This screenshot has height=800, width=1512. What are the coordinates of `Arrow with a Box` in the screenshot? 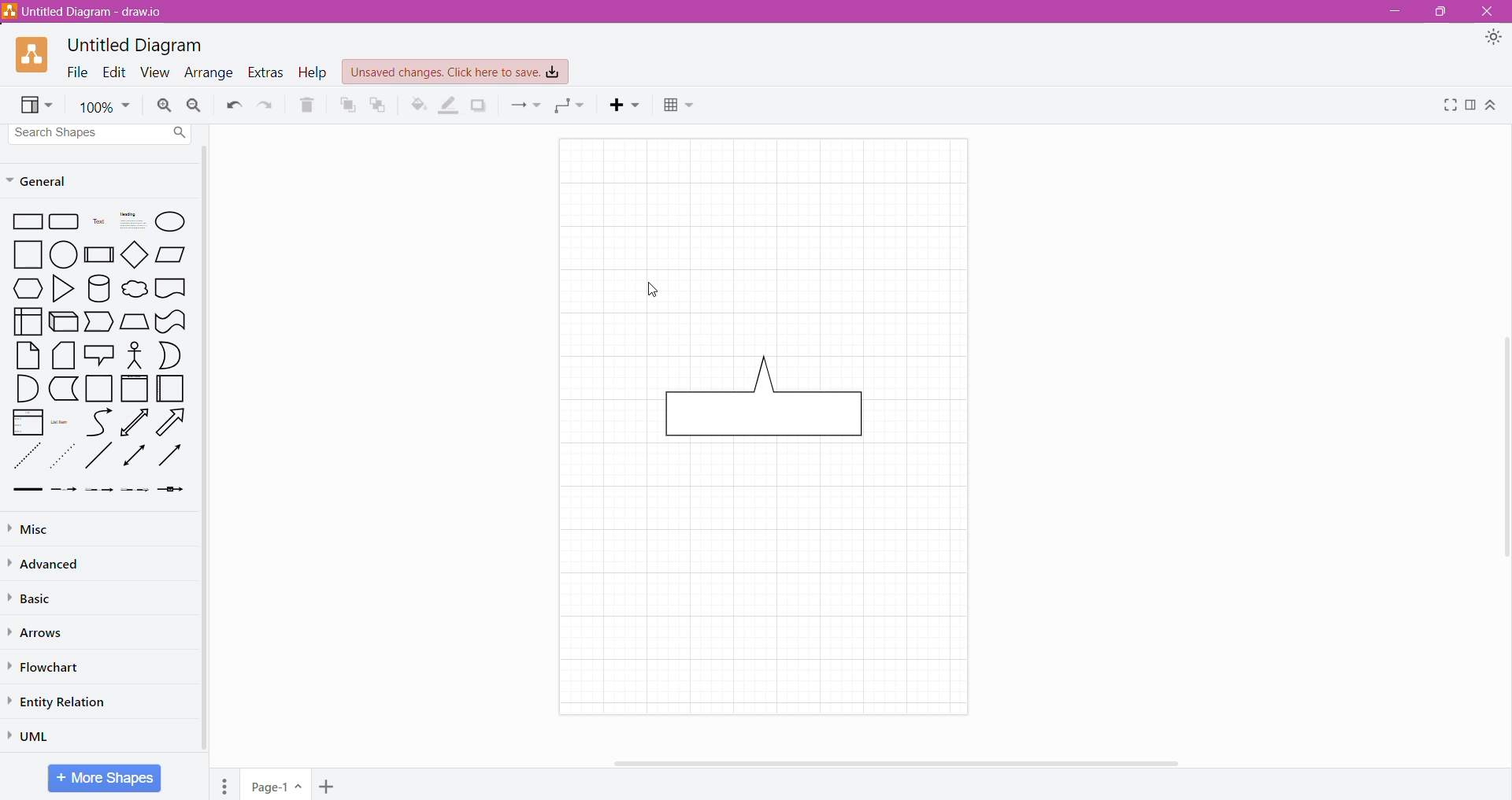 It's located at (172, 490).